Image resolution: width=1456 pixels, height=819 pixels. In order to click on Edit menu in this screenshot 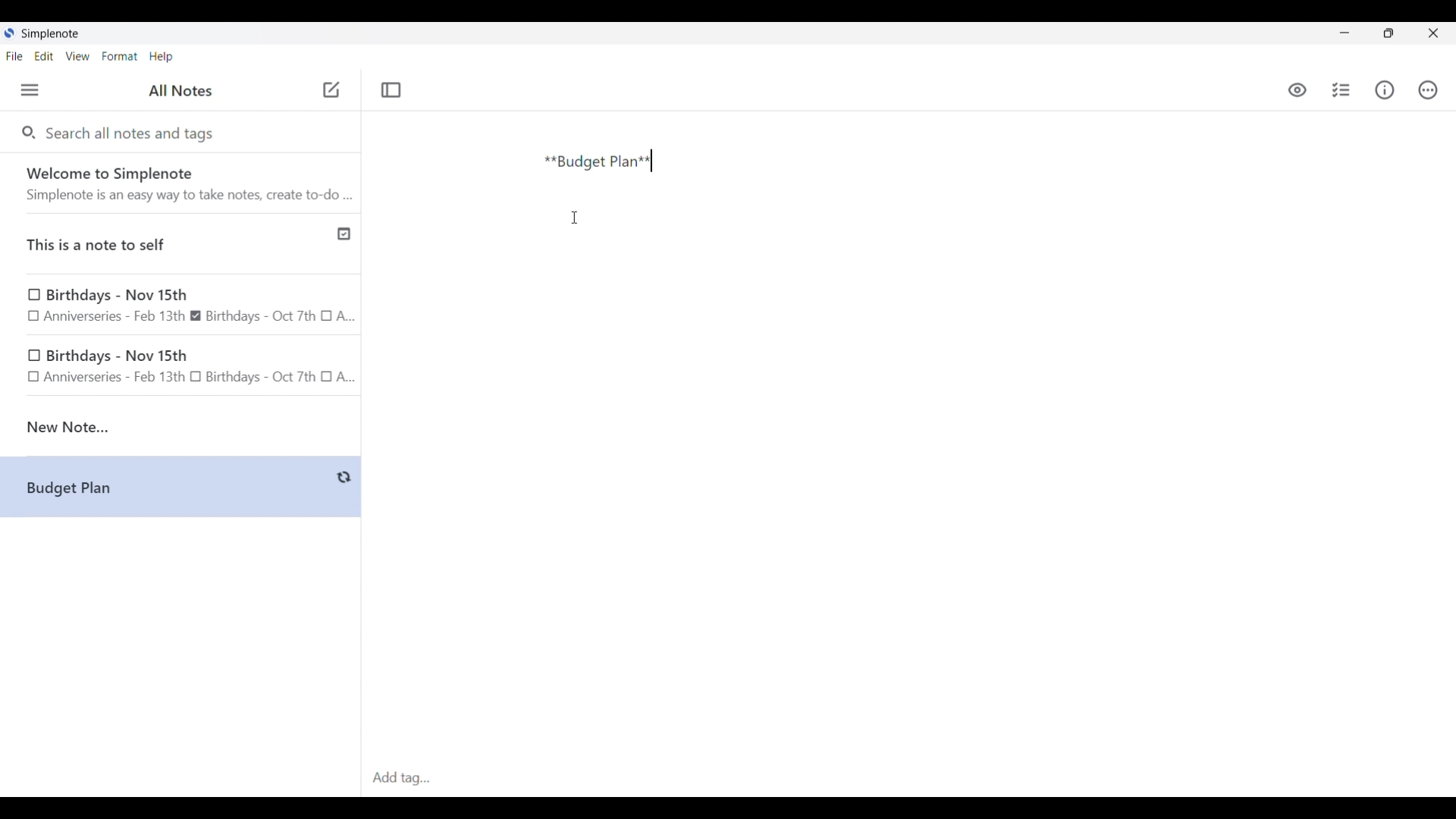, I will do `click(45, 55)`.